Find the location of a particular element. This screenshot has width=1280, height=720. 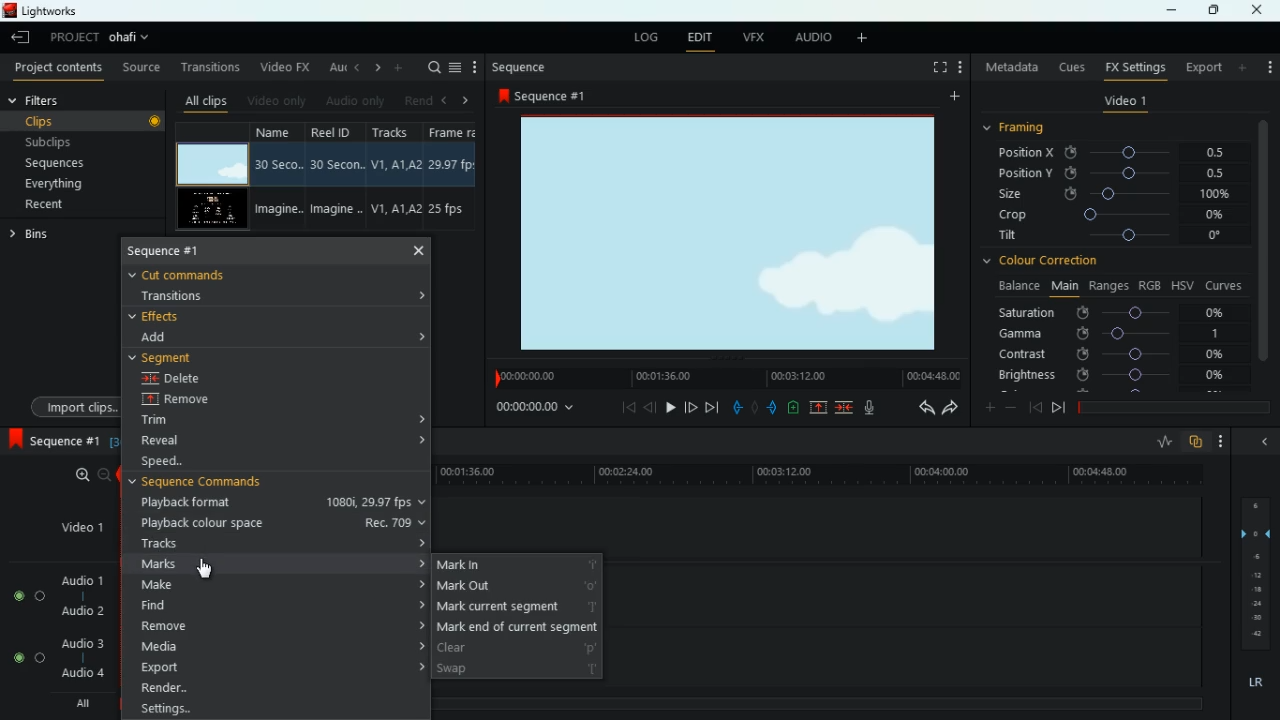

lr is located at coordinates (1253, 683).